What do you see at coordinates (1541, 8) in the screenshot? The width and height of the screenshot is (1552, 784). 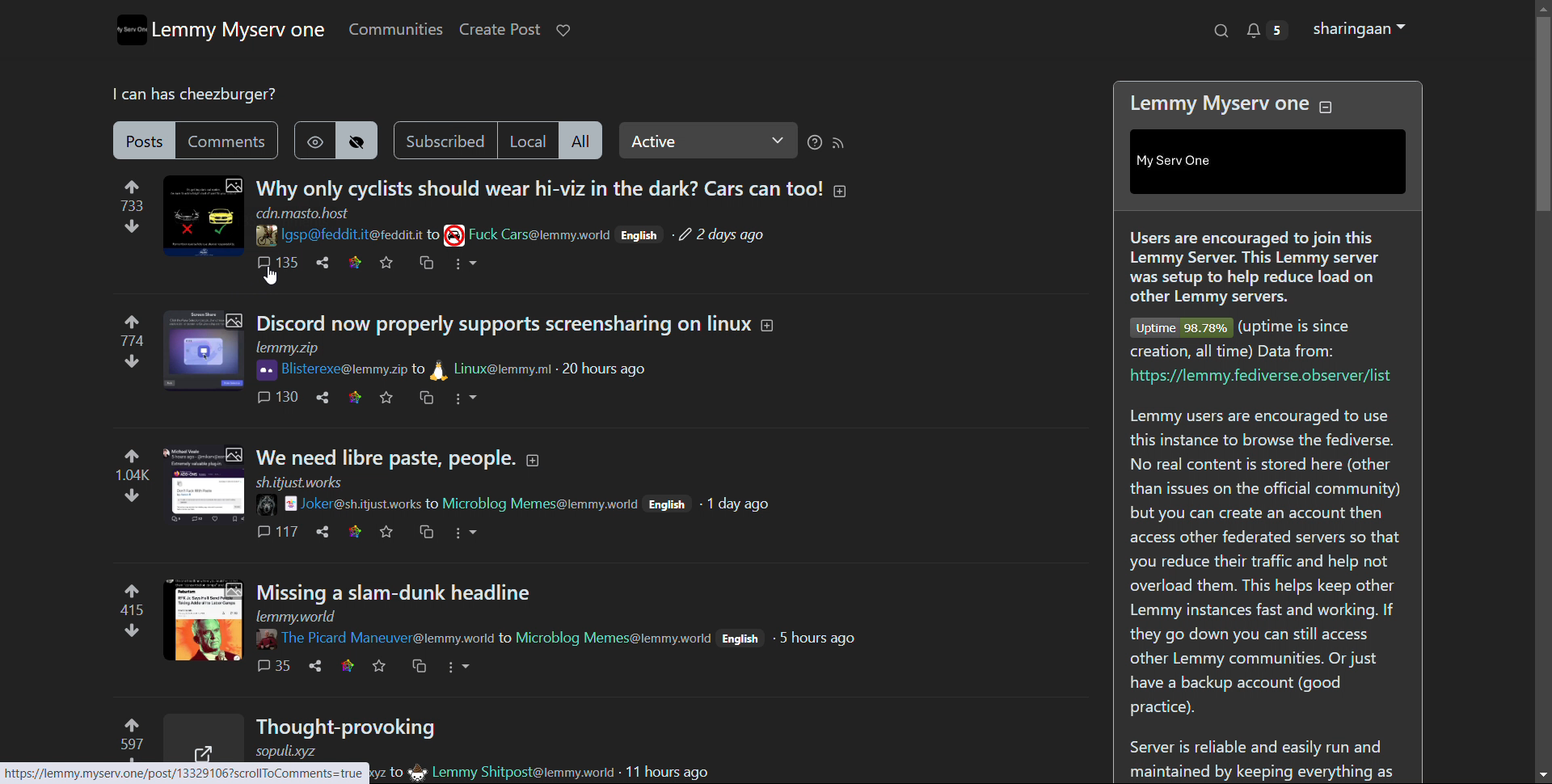 I see `scroll up` at bounding box center [1541, 8].